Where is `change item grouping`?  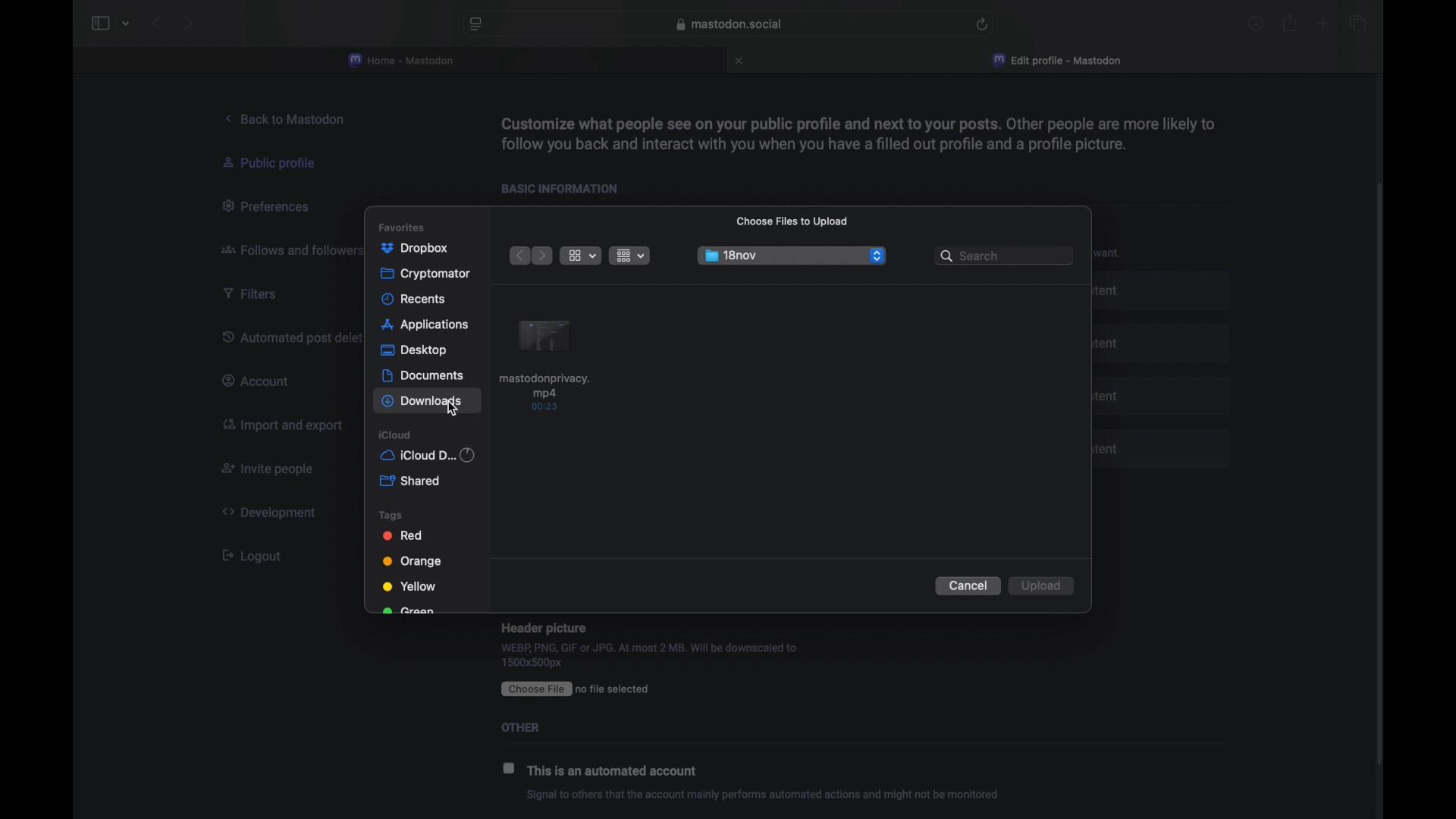
change item grouping is located at coordinates (631, 256).